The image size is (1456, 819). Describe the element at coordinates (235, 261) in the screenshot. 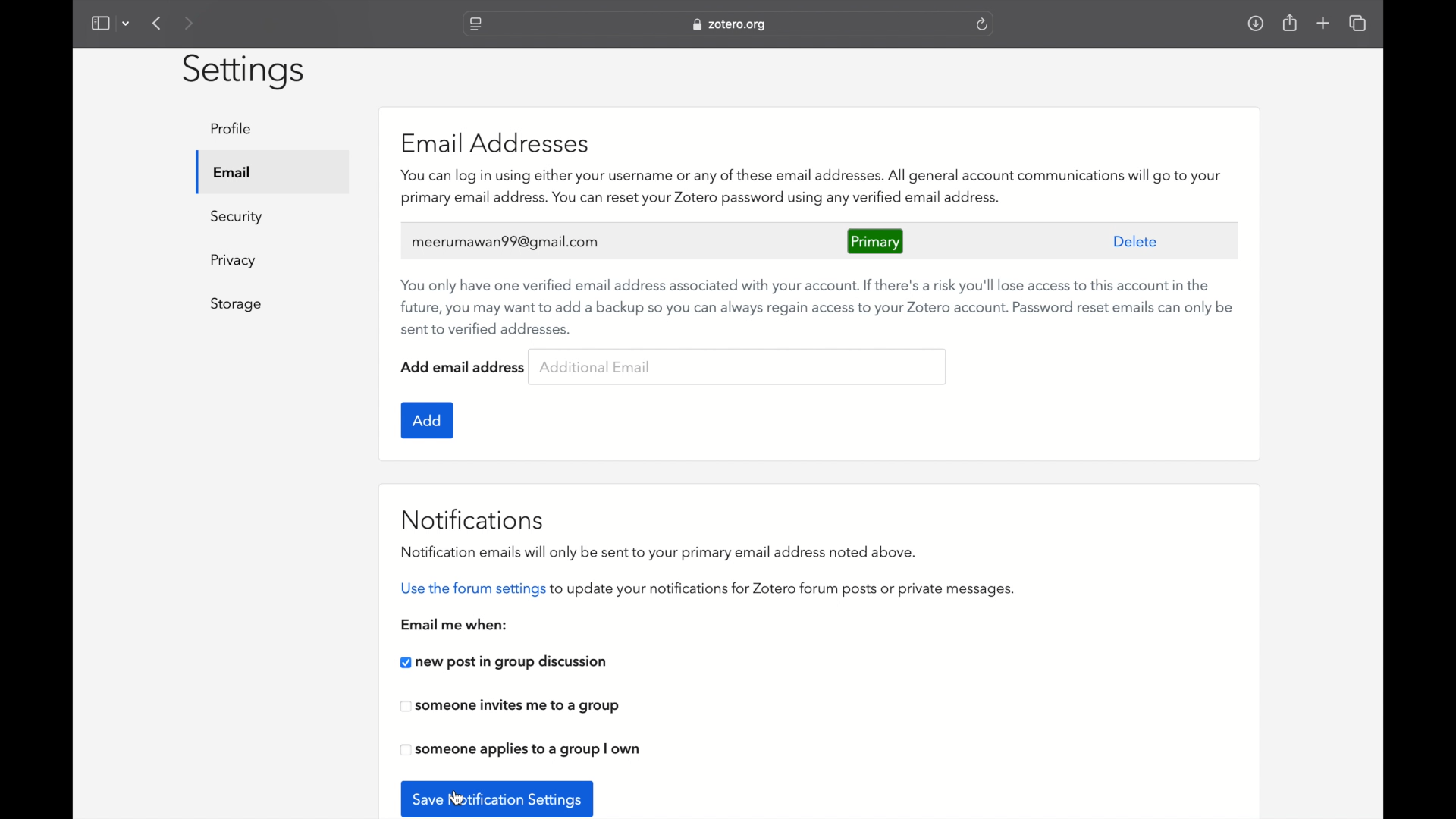

I see `privacy` at that location.